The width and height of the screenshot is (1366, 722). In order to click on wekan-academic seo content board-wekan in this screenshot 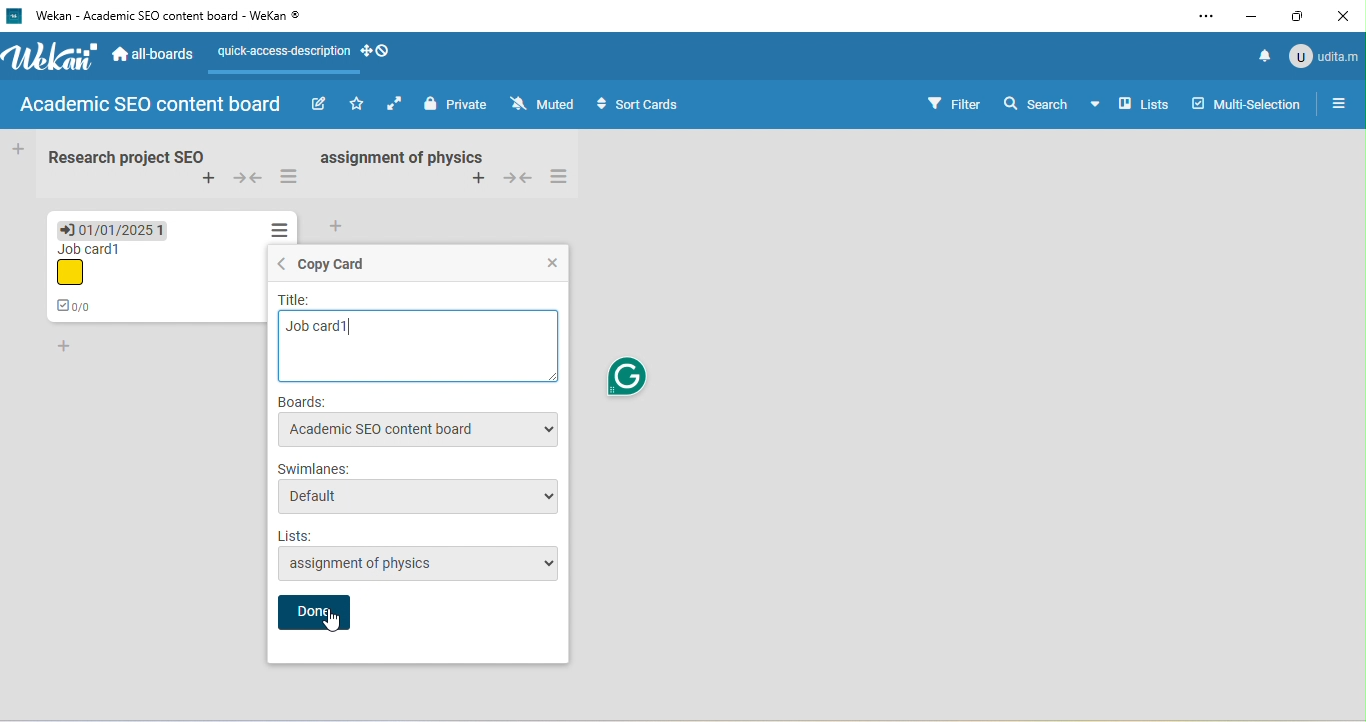, I will do `click(178, 16)`.